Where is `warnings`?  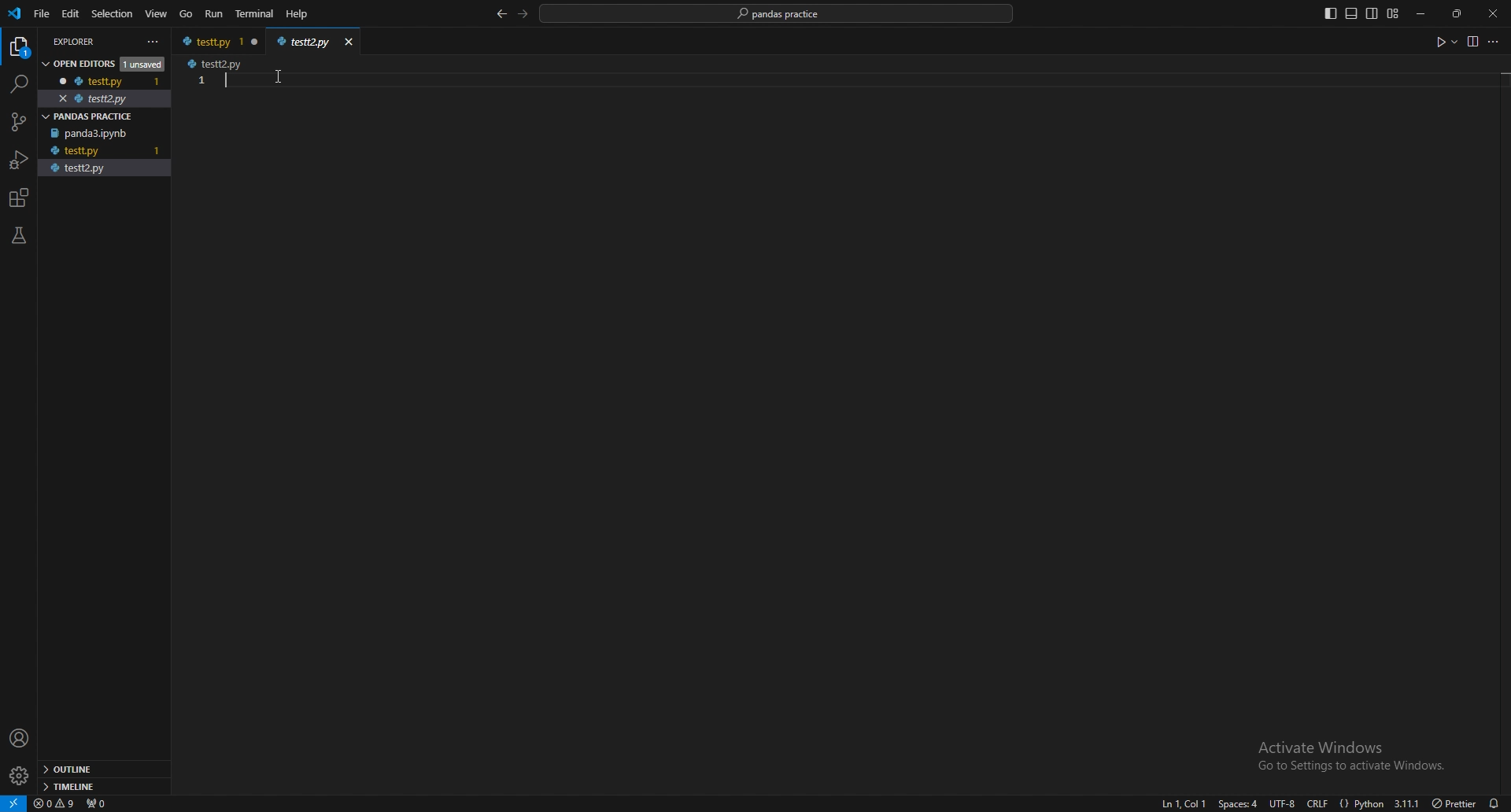 warnings is located at coordinates (55, 803).